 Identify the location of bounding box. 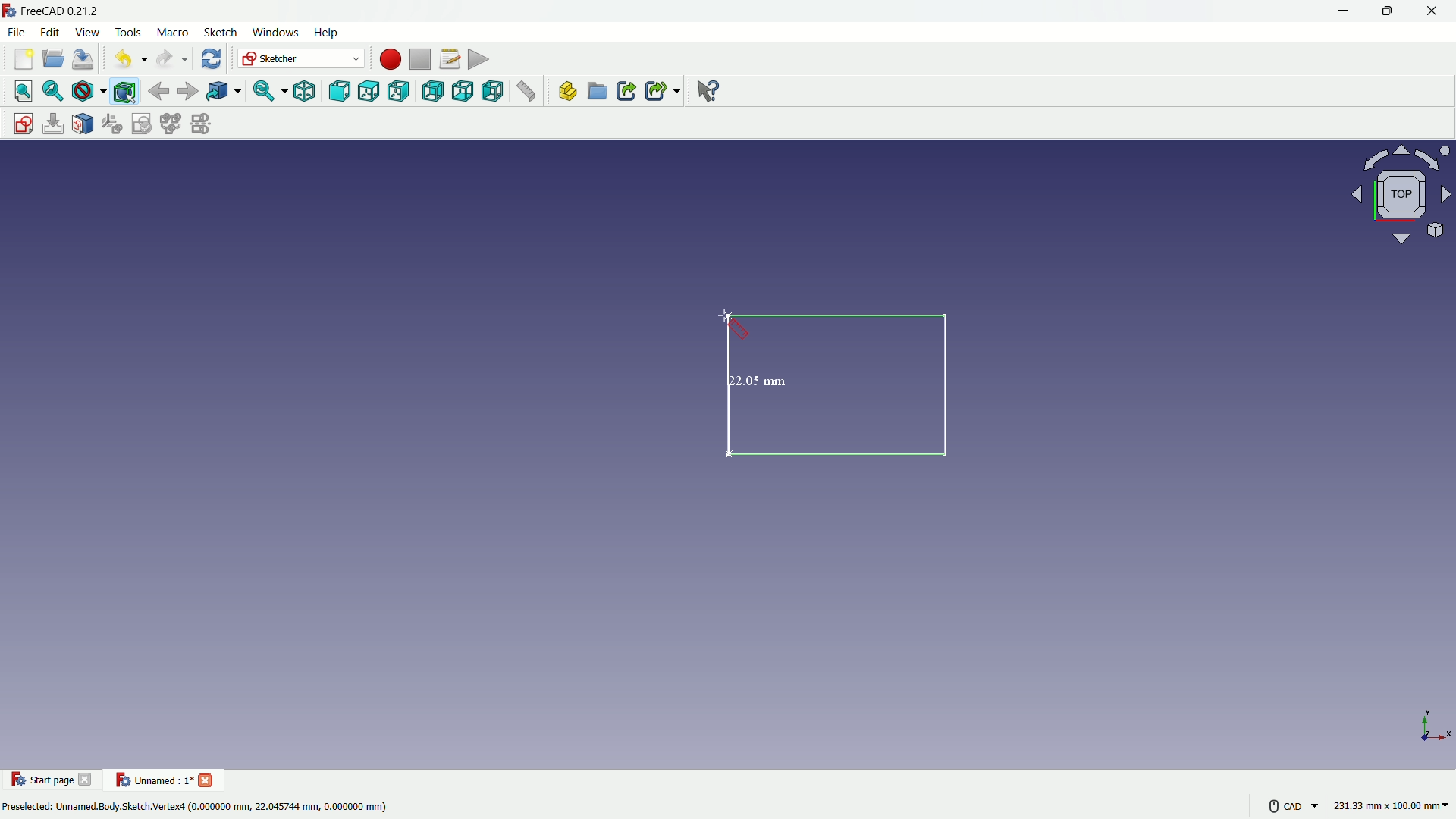
(127, 91).